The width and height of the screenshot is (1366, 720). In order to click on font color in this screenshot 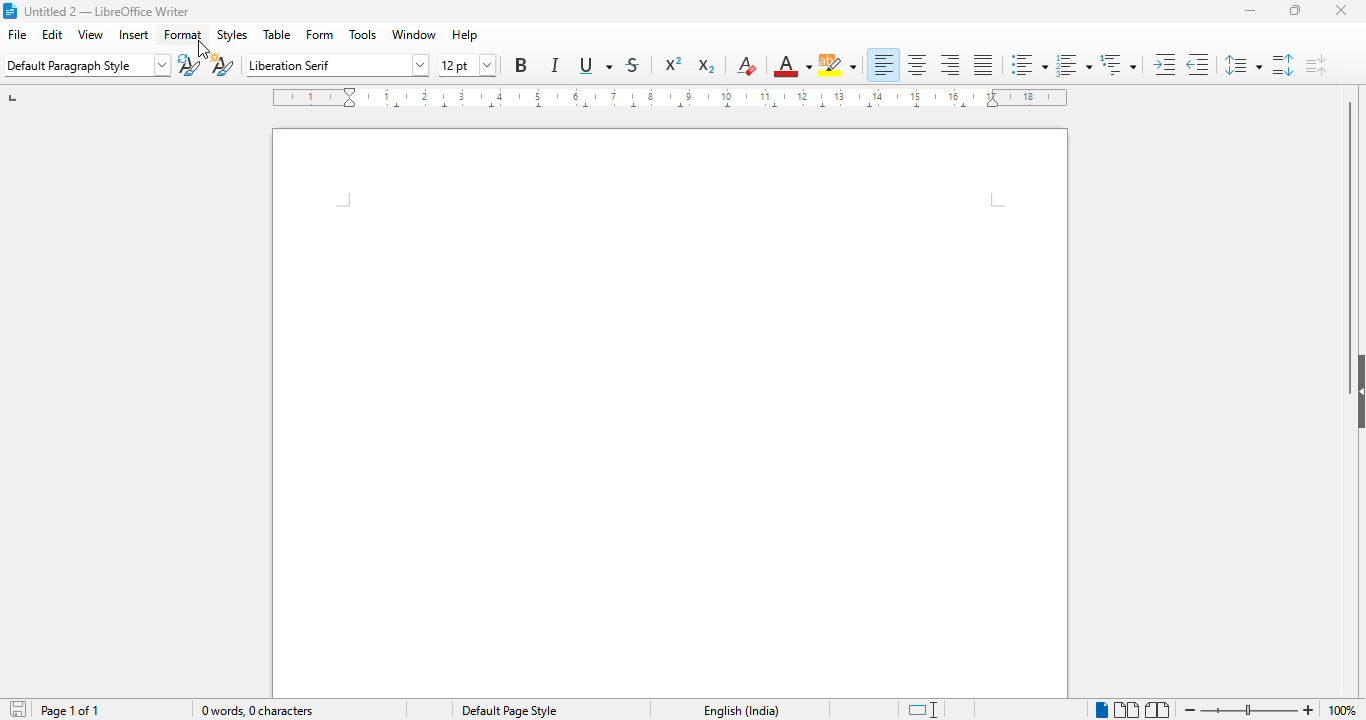, I will do `click(792, 66)`.